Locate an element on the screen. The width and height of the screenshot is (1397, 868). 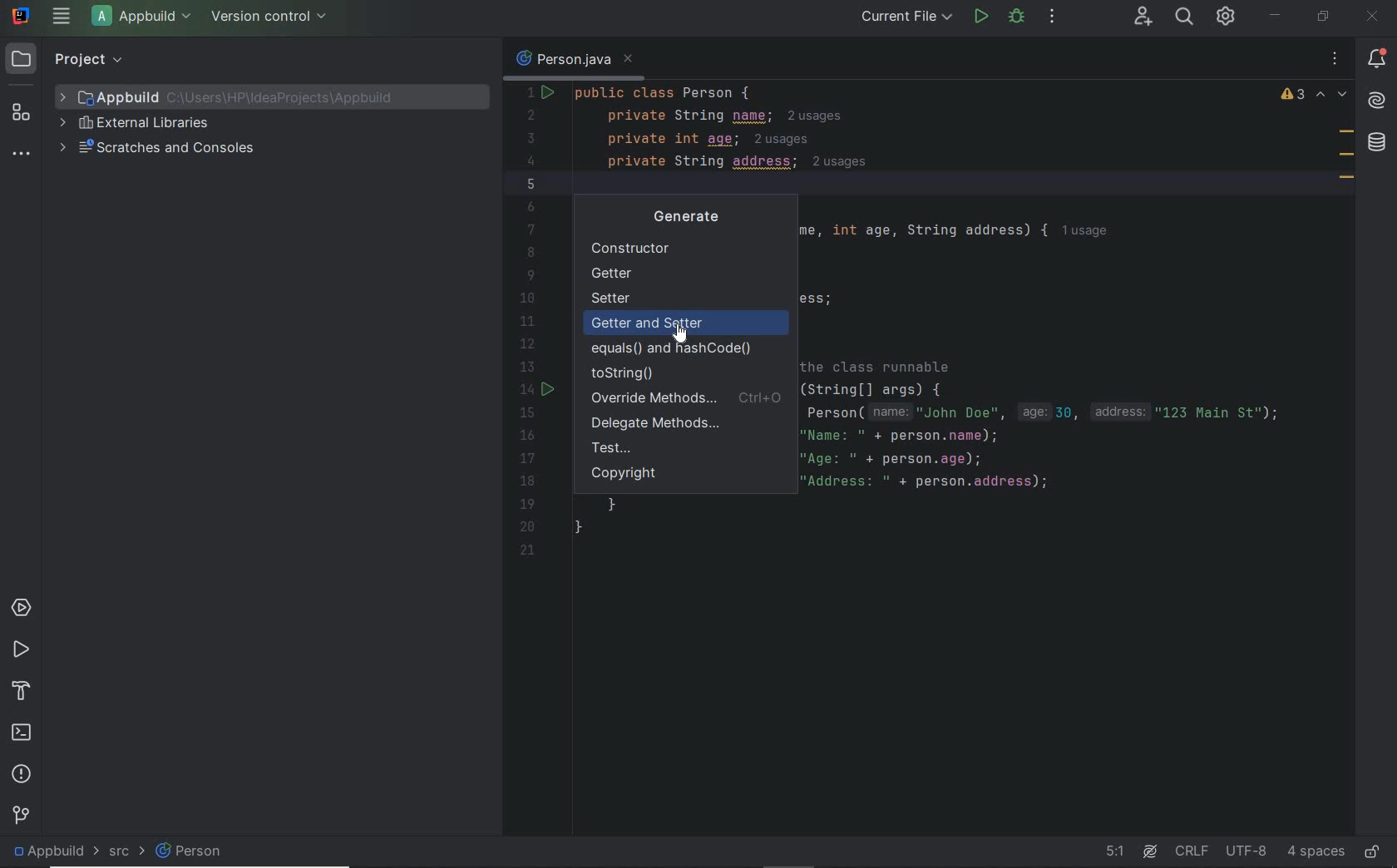
more tool windows is located at coordinates (20, 155).